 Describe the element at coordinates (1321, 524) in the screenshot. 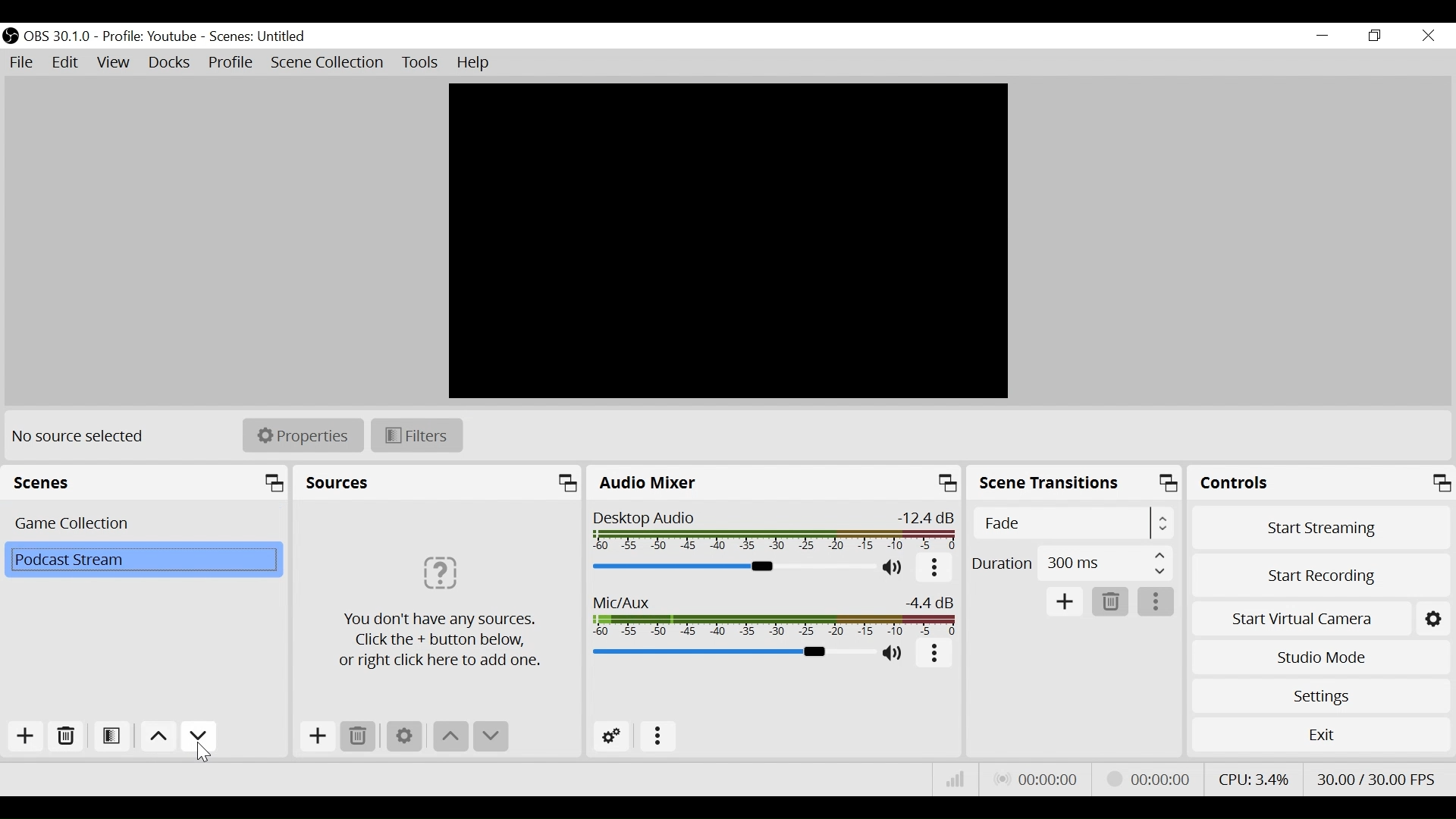

I see `Start Streaming` at that location.